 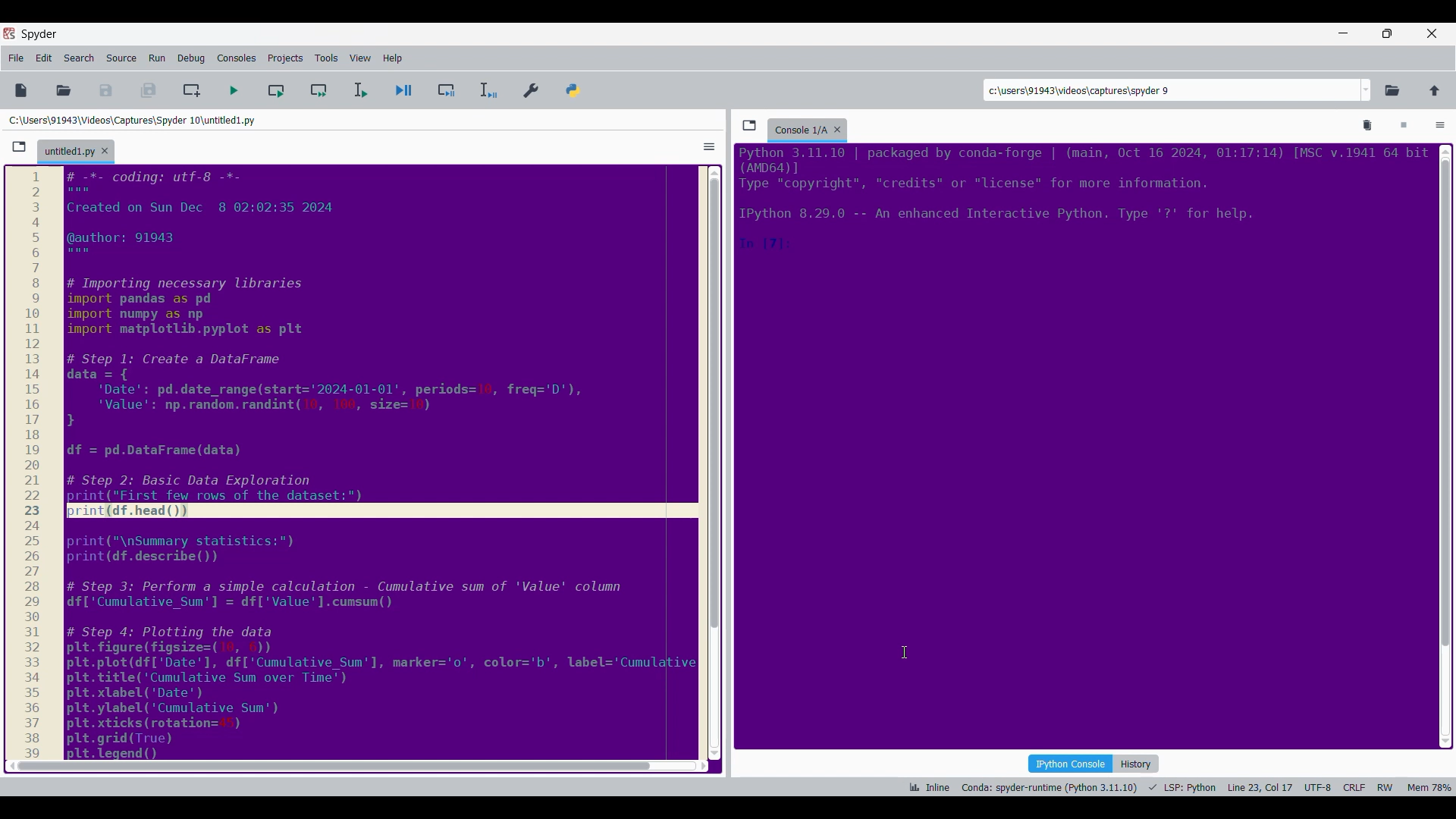 I want to click on Run menu, so click(x=157, y=58).